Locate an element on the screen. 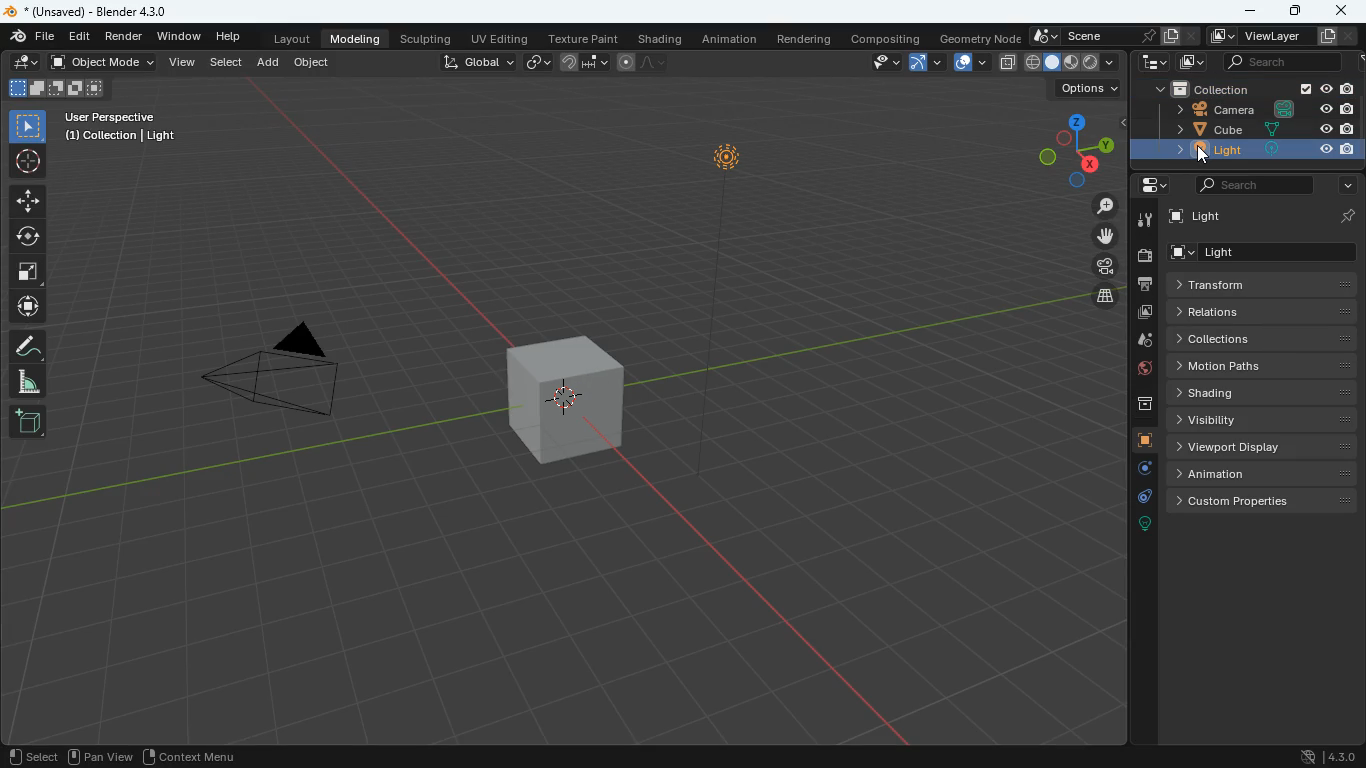 Image resolution: width=1366 pixels, height=768 pixels. Archive is located at coordinates (1144, 404).